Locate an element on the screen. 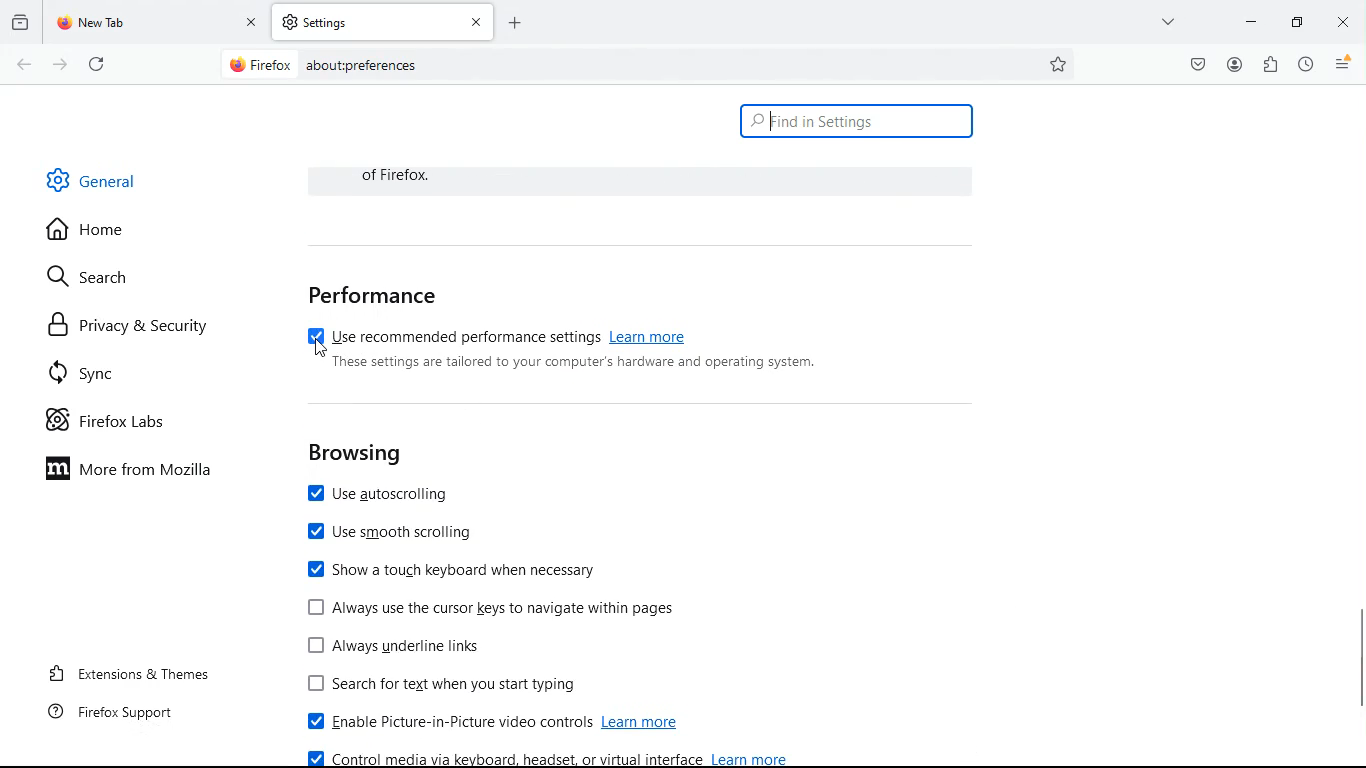 This screenshot has width=1366, height=768. home is located at coordinates (95, 232).